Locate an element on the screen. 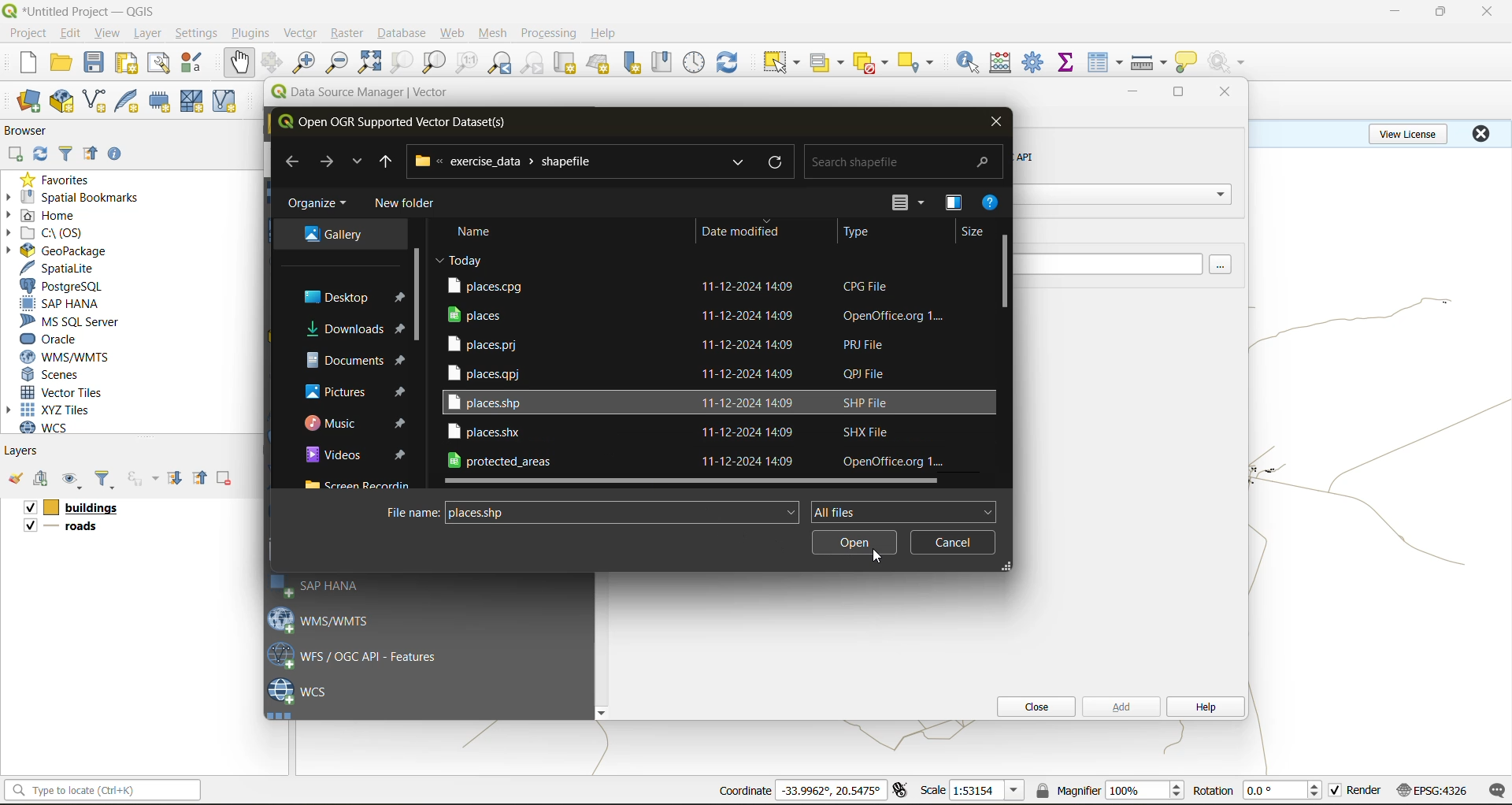 The image size is (1512, 805). select location is located at coordinates (921, 61).